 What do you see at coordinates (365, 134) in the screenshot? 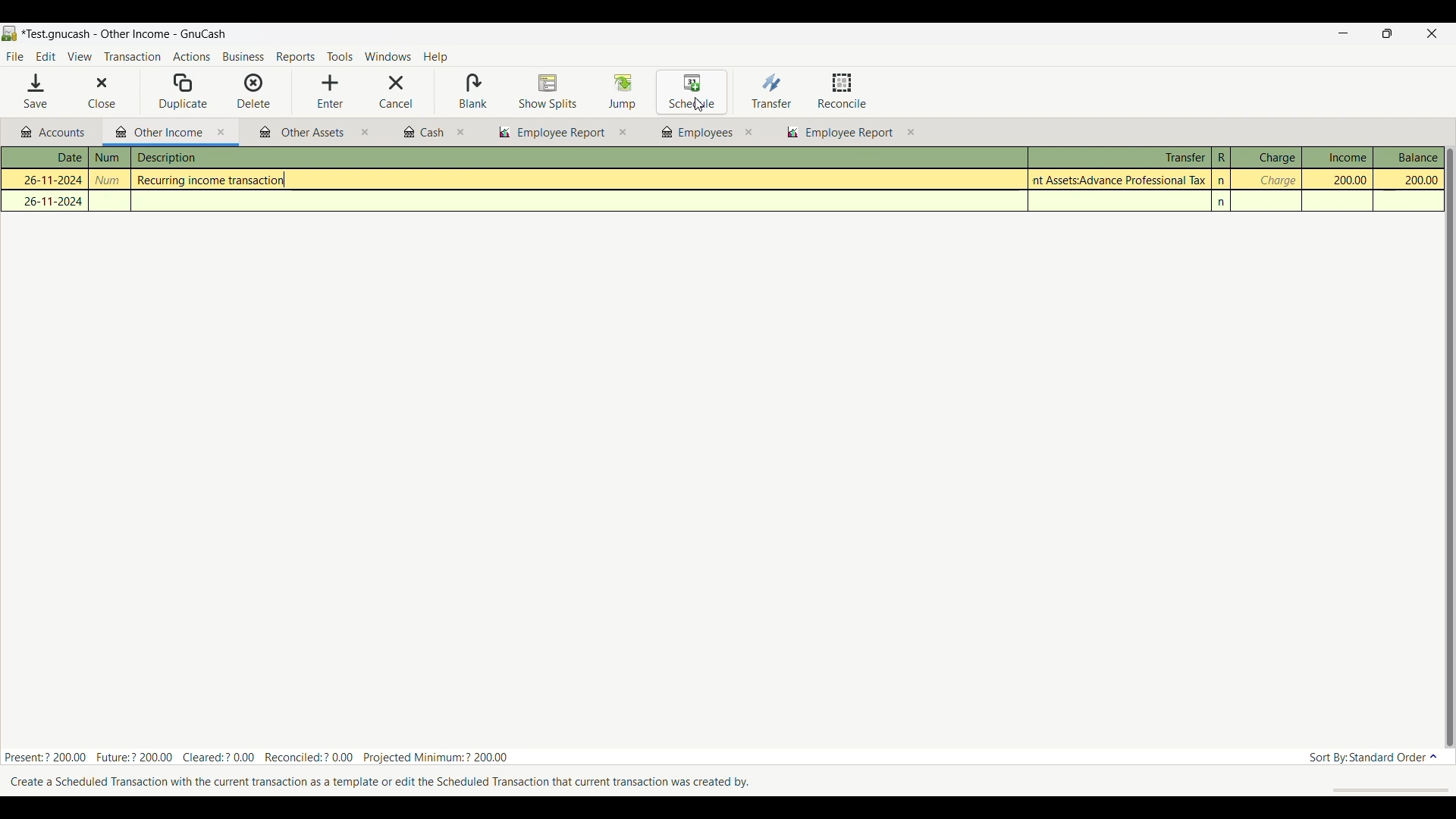
I see `close` at bounding box center [365, 134].